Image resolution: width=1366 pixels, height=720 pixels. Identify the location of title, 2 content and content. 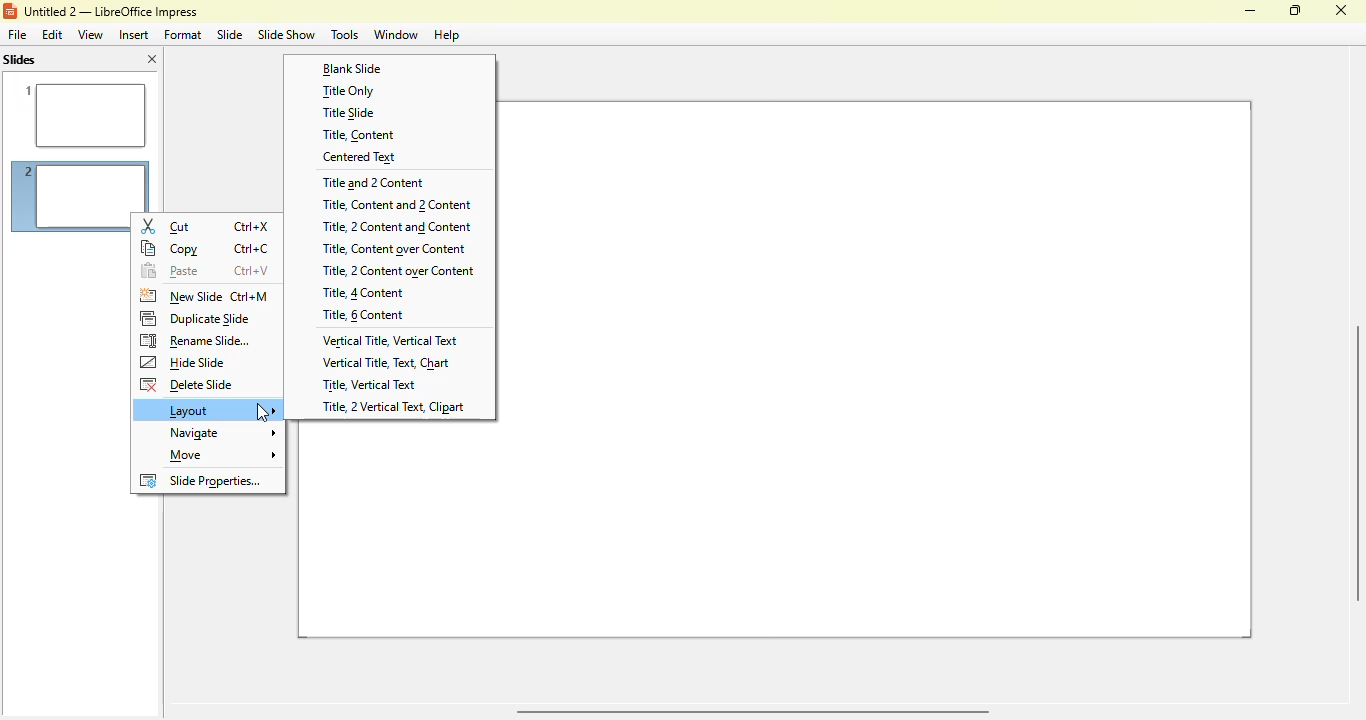
(400, 227).